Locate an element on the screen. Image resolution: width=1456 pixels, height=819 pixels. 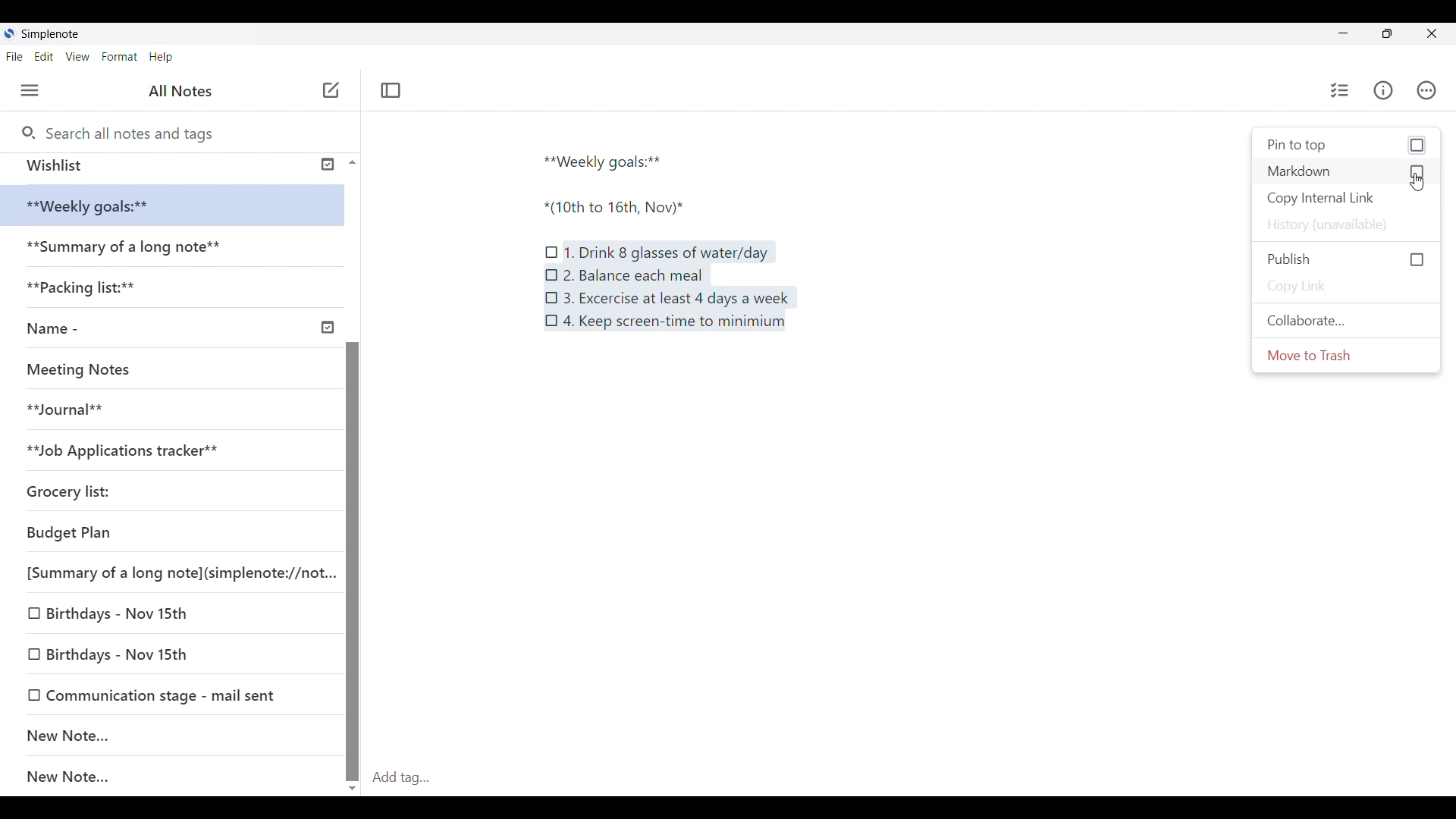
Checklist icon is located at coordinates (552, 296).